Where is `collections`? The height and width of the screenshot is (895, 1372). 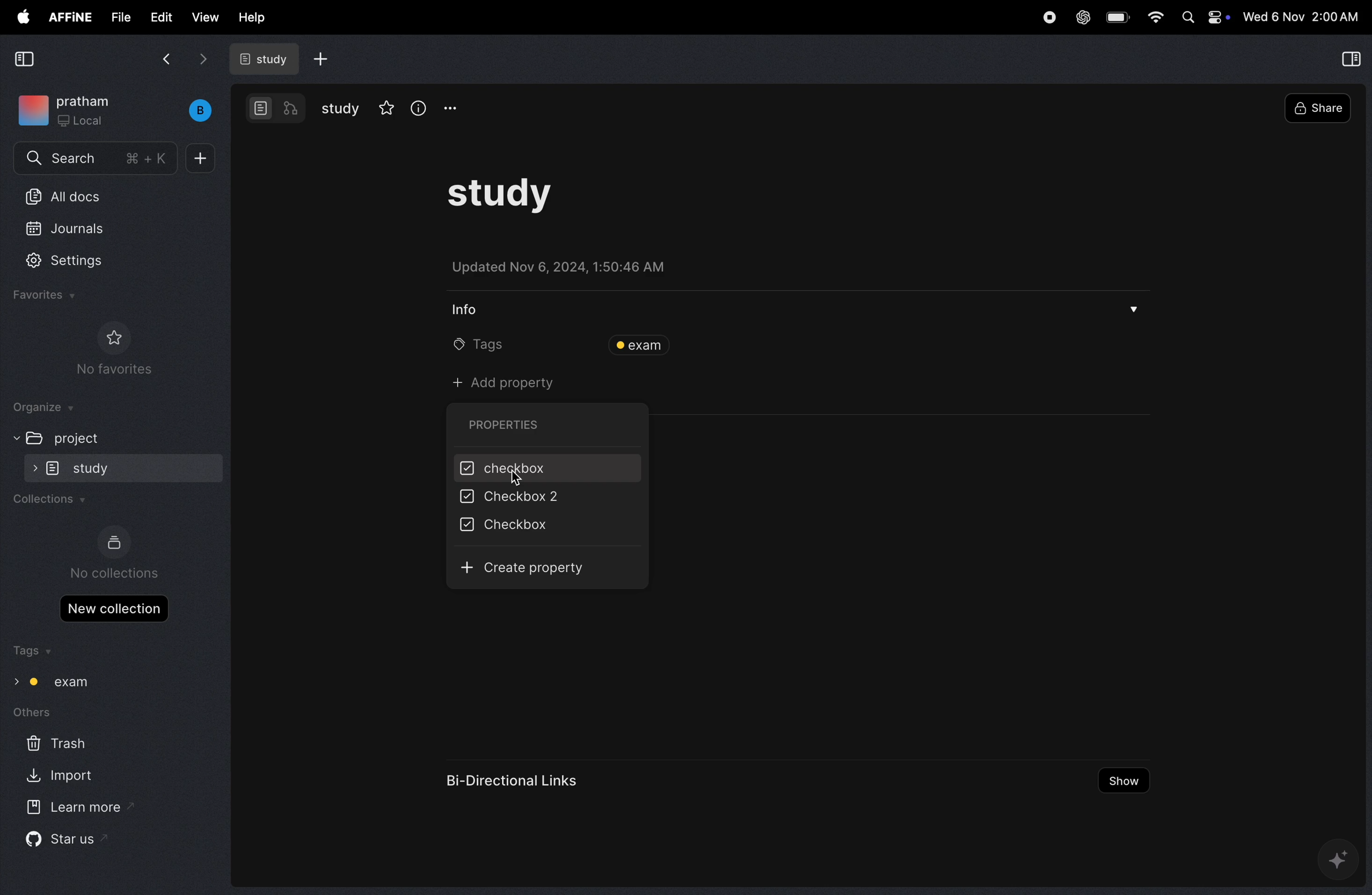
collections is located at coordinates (52, 501).